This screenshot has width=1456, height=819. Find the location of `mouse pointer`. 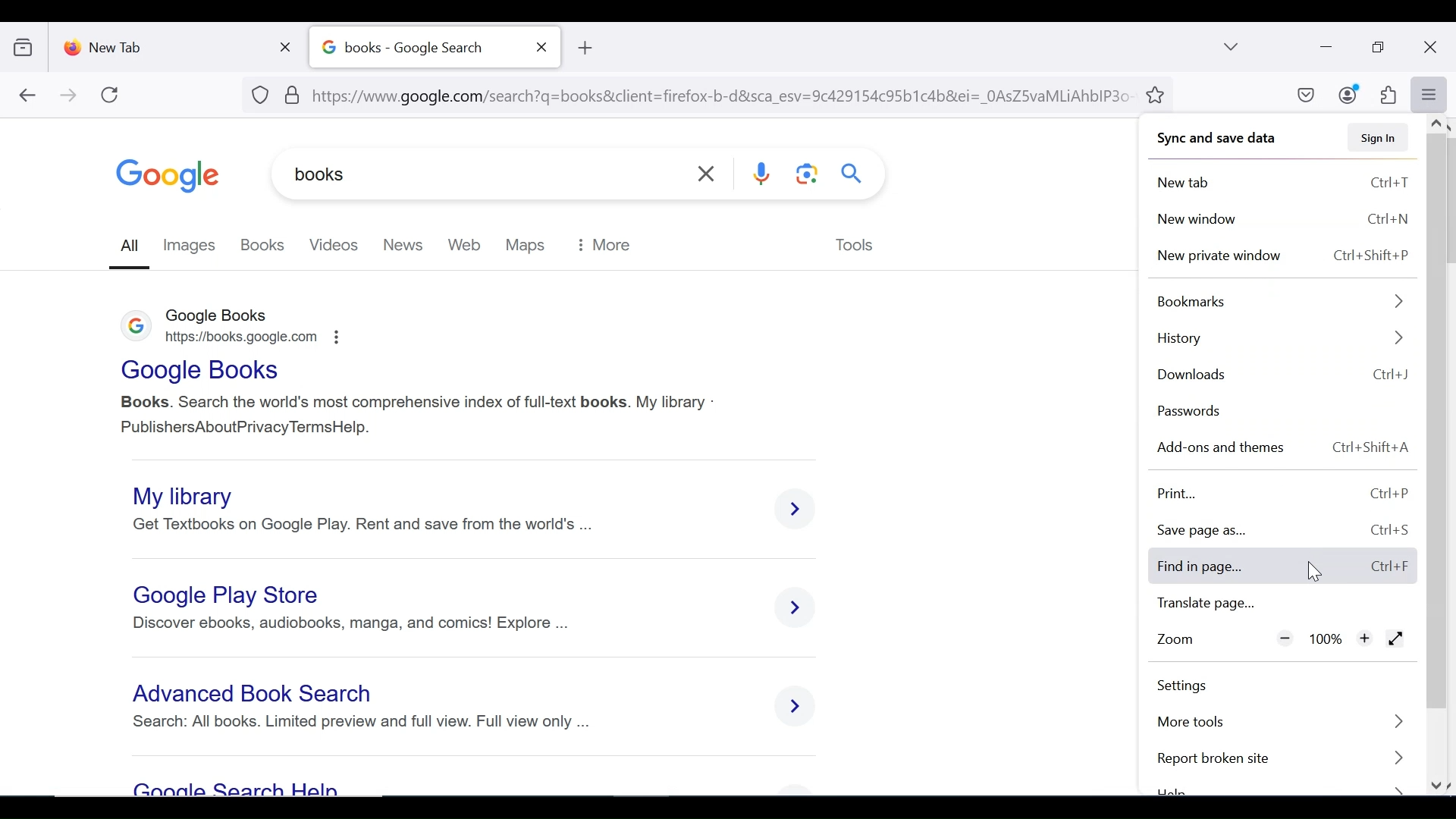

mouse pointer is located at coordinates (1311, 569).